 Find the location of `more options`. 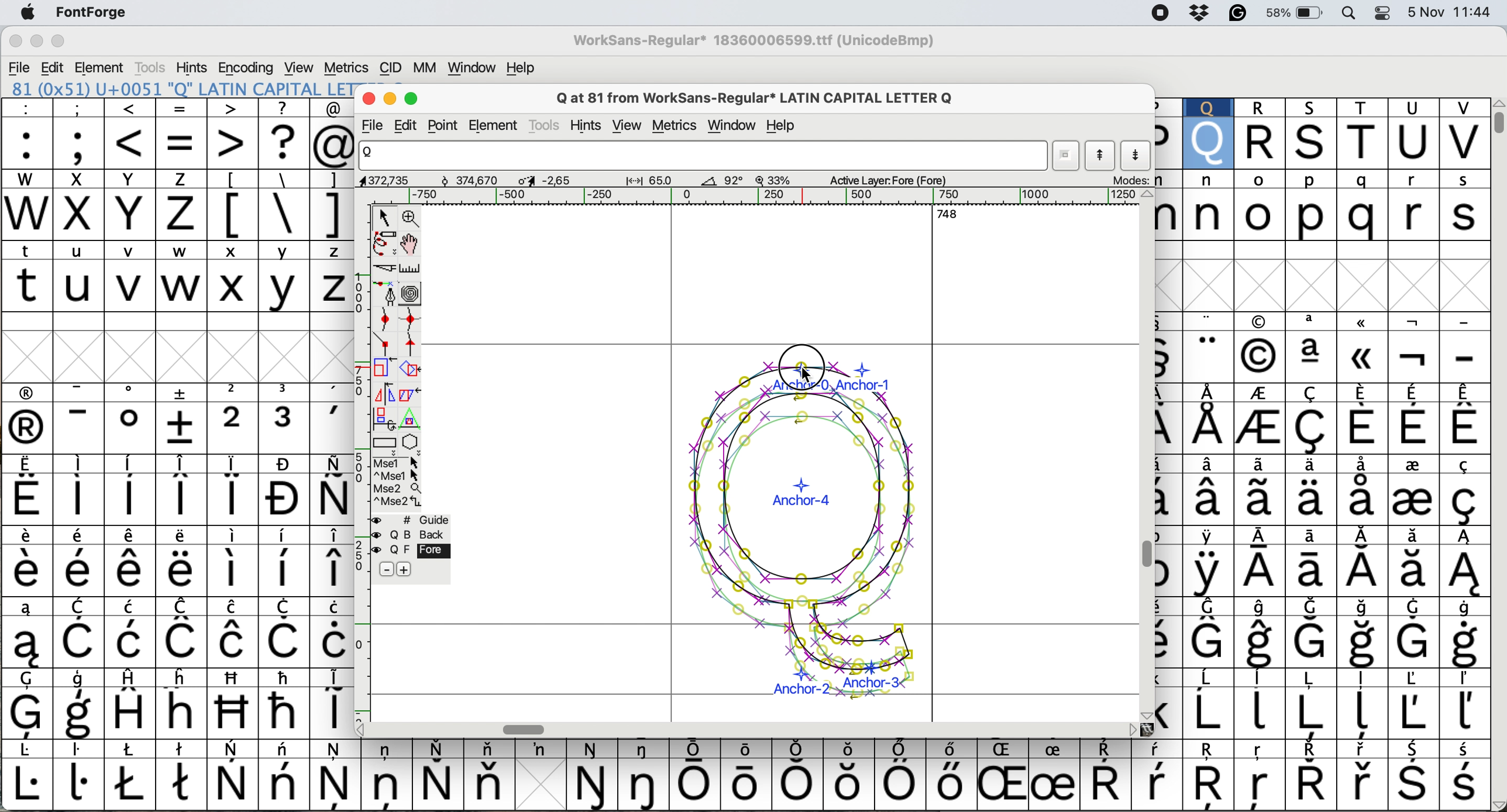

more options is located at coordinates (396, 483).